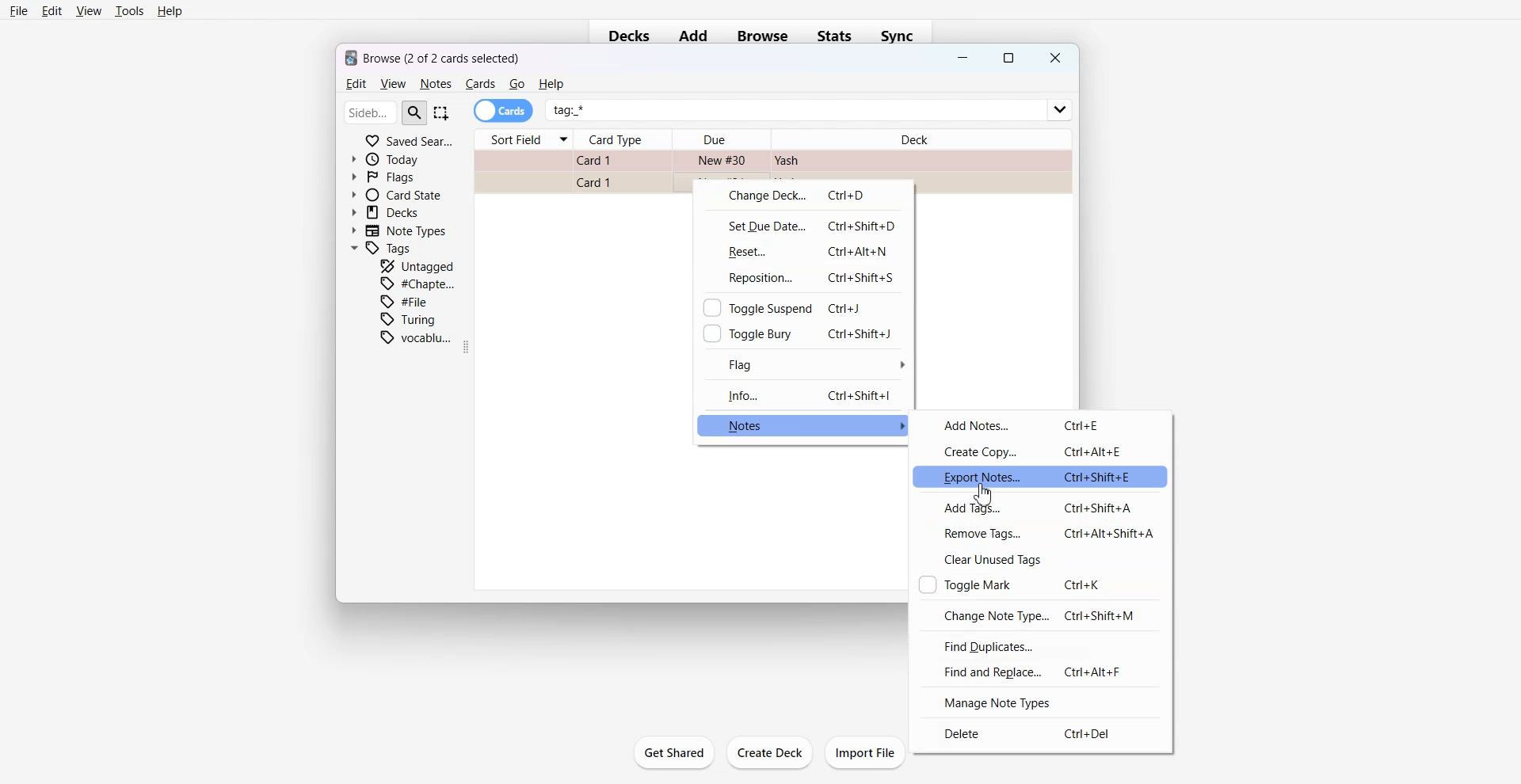 This screenshot has width=1521, height=784. Describe the element at coordinates (802, 306) in the screenshot. I see `Toggle Suspend` at that location.